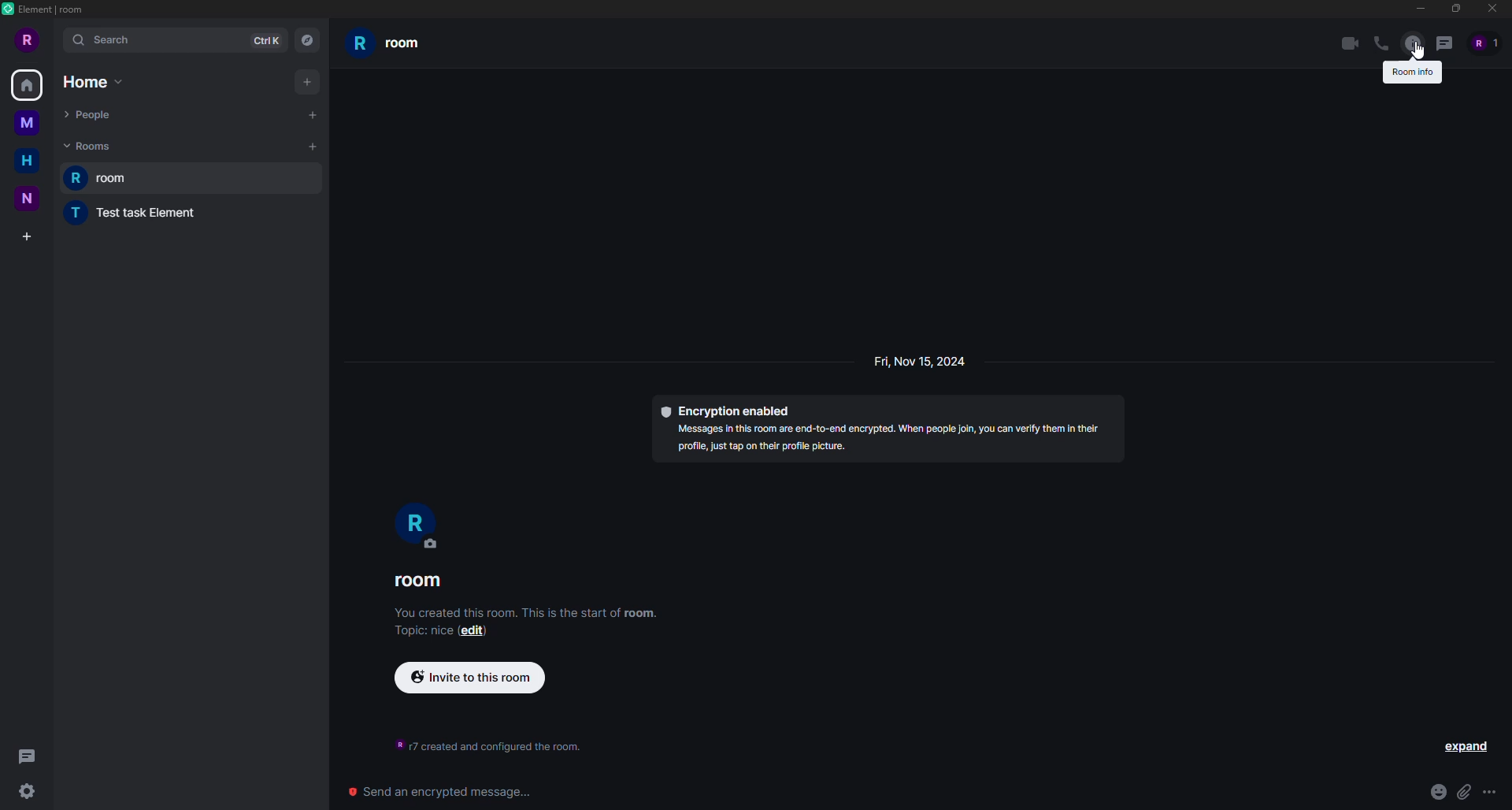 The height and width of the screenshot is (810, 1512). What do you see at coordinates (30, 791) in the screenshot?
I see `settings` at bounding box center [30, 791].